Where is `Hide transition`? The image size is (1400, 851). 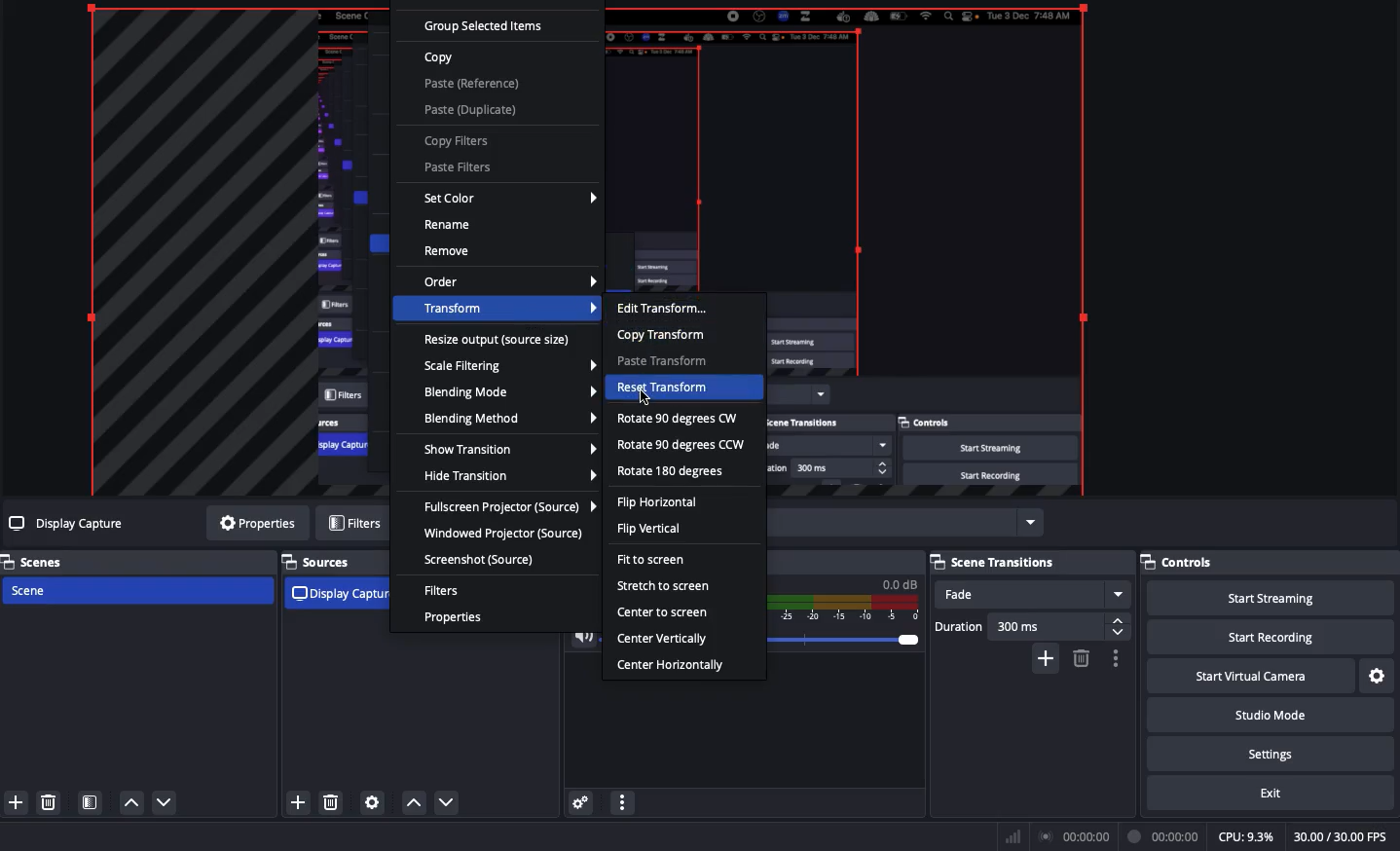 Hide transition is located at coordinates (510, 477).